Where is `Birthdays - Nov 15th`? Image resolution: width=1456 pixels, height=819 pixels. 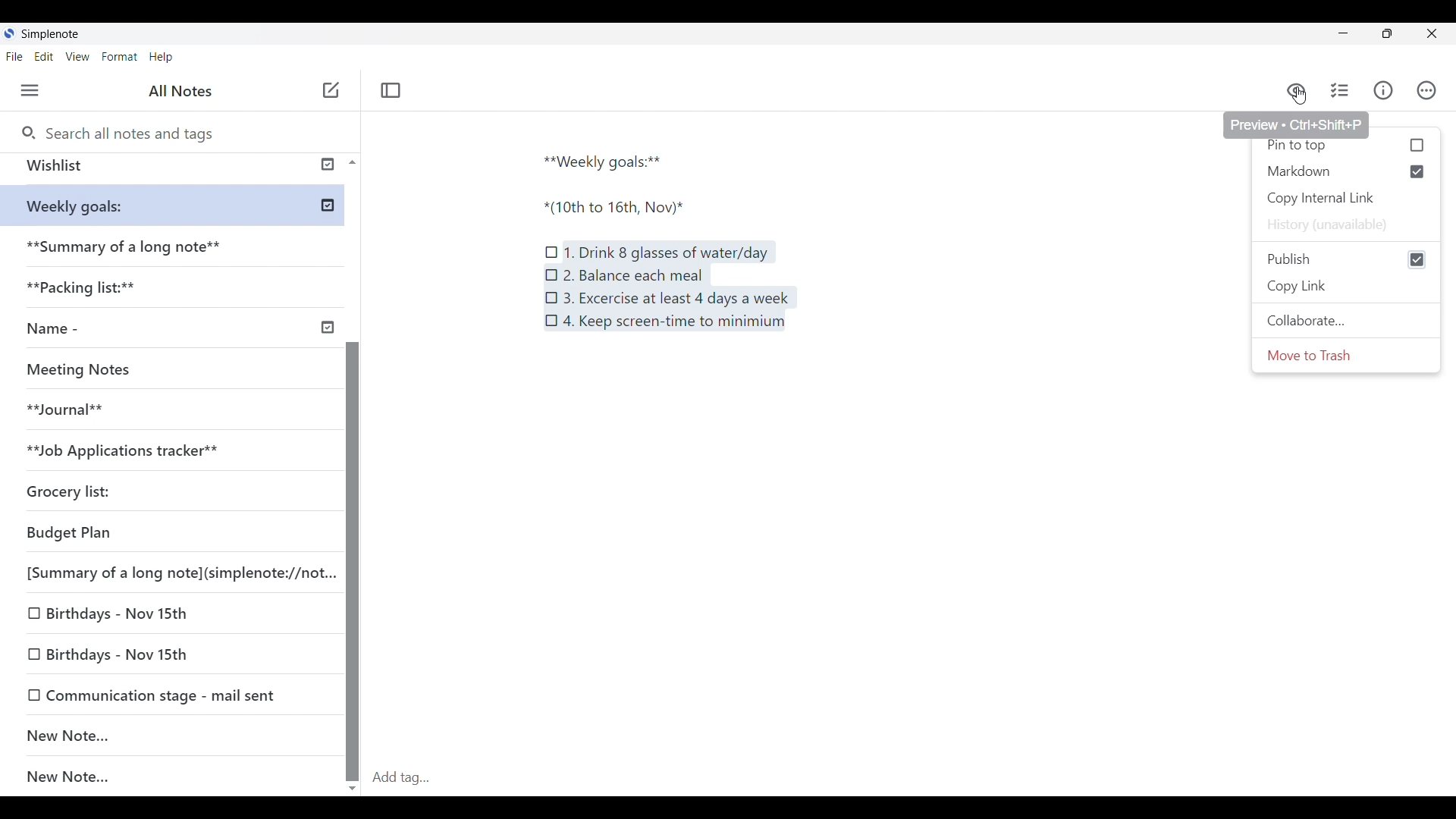 Birthdays - Nov 15th is located at coordinates (165, 651).